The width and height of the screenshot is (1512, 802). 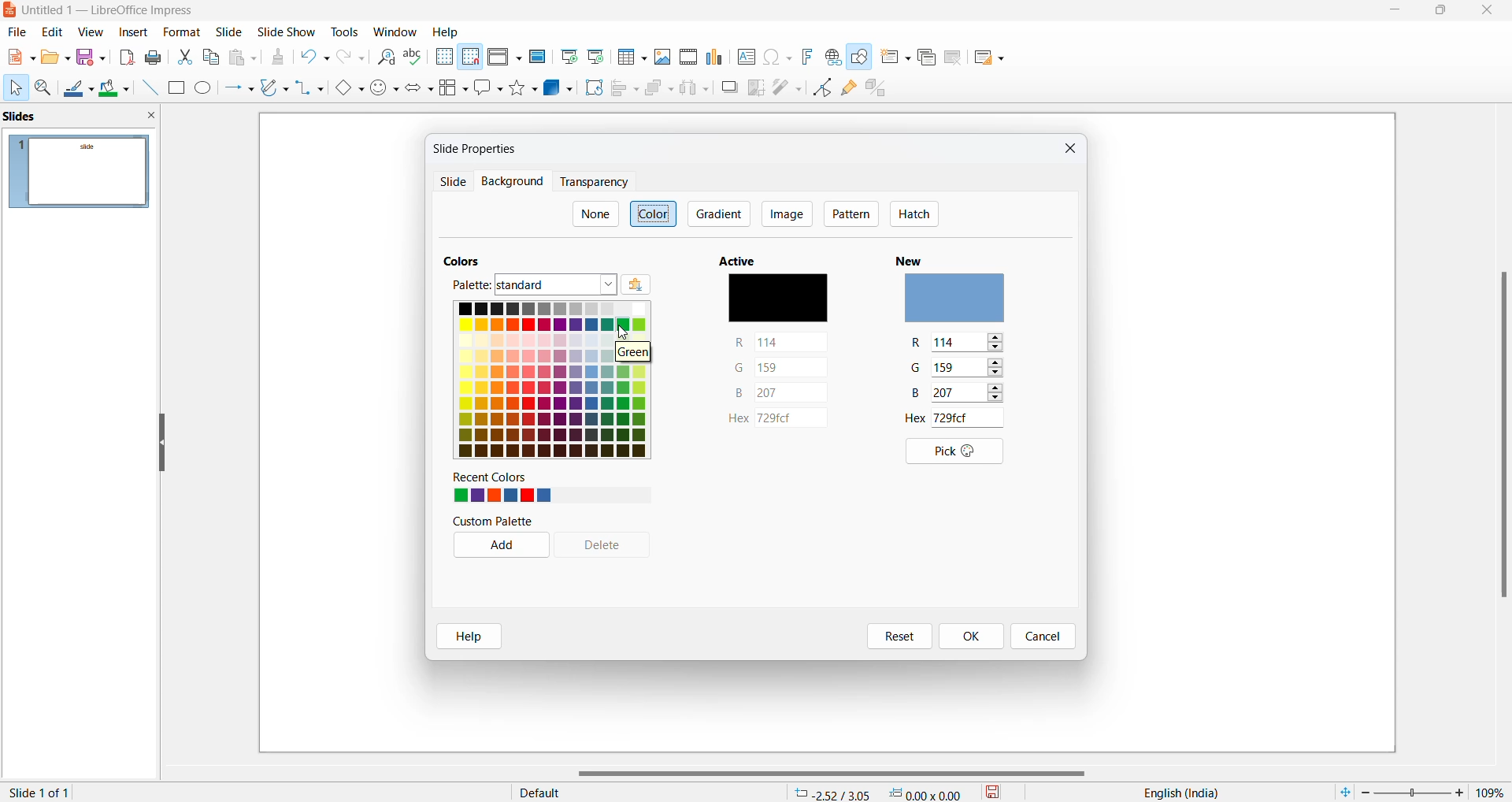 I want to click on close, so click(x=1067, y=150).